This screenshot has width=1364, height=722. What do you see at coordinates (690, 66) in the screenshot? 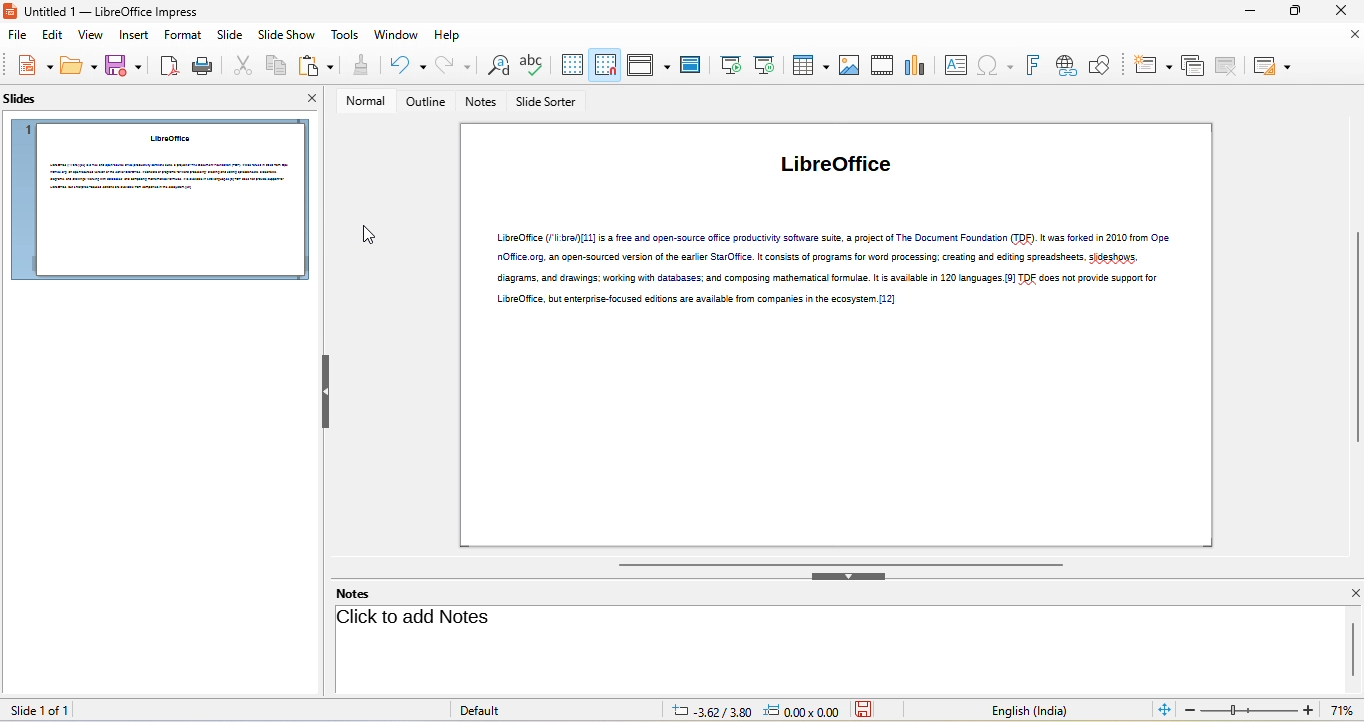
I see `master slide` at bounding box center [690, 66].